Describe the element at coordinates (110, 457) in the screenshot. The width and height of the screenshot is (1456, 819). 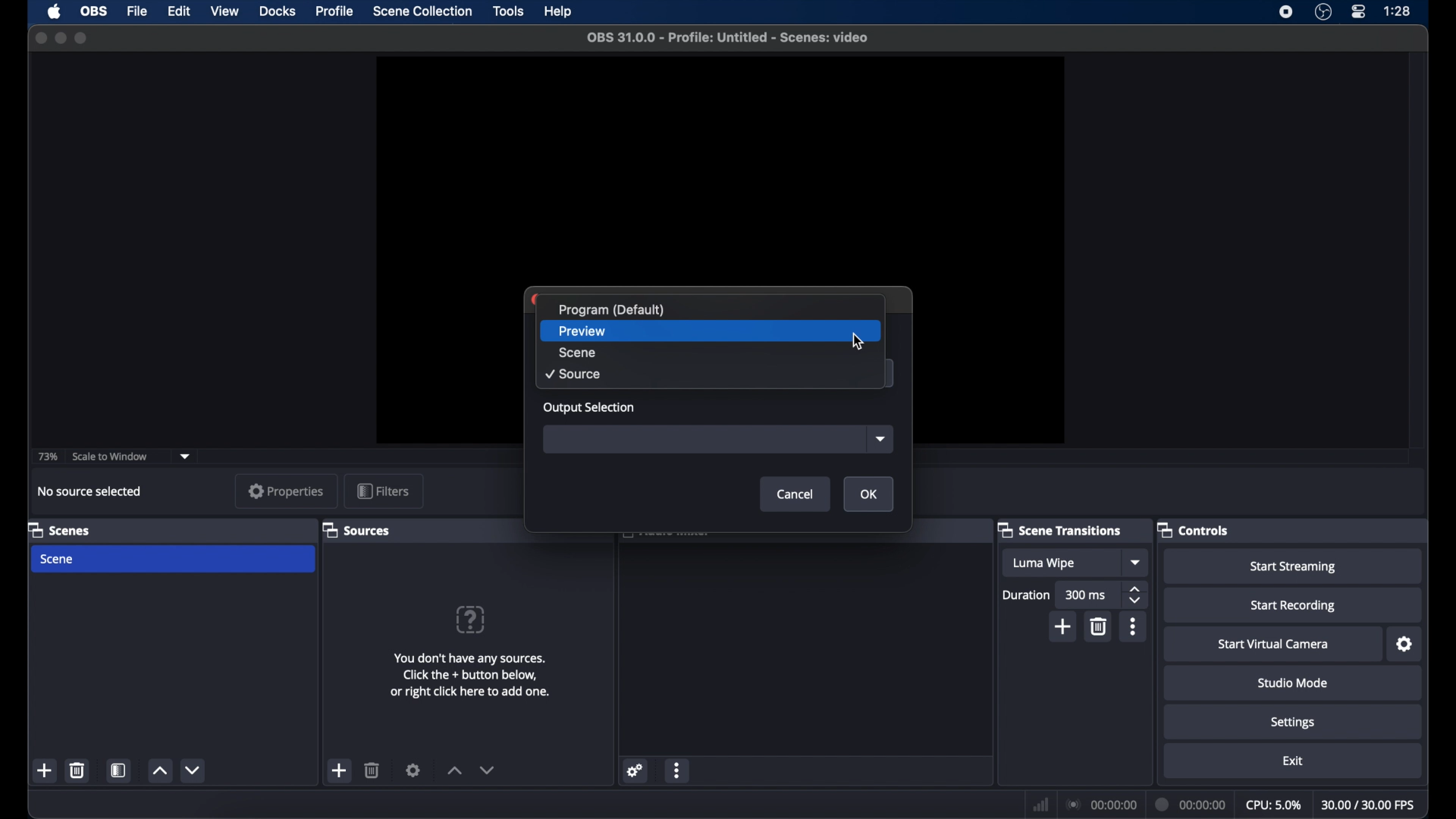
I see `scale to window` at that location.